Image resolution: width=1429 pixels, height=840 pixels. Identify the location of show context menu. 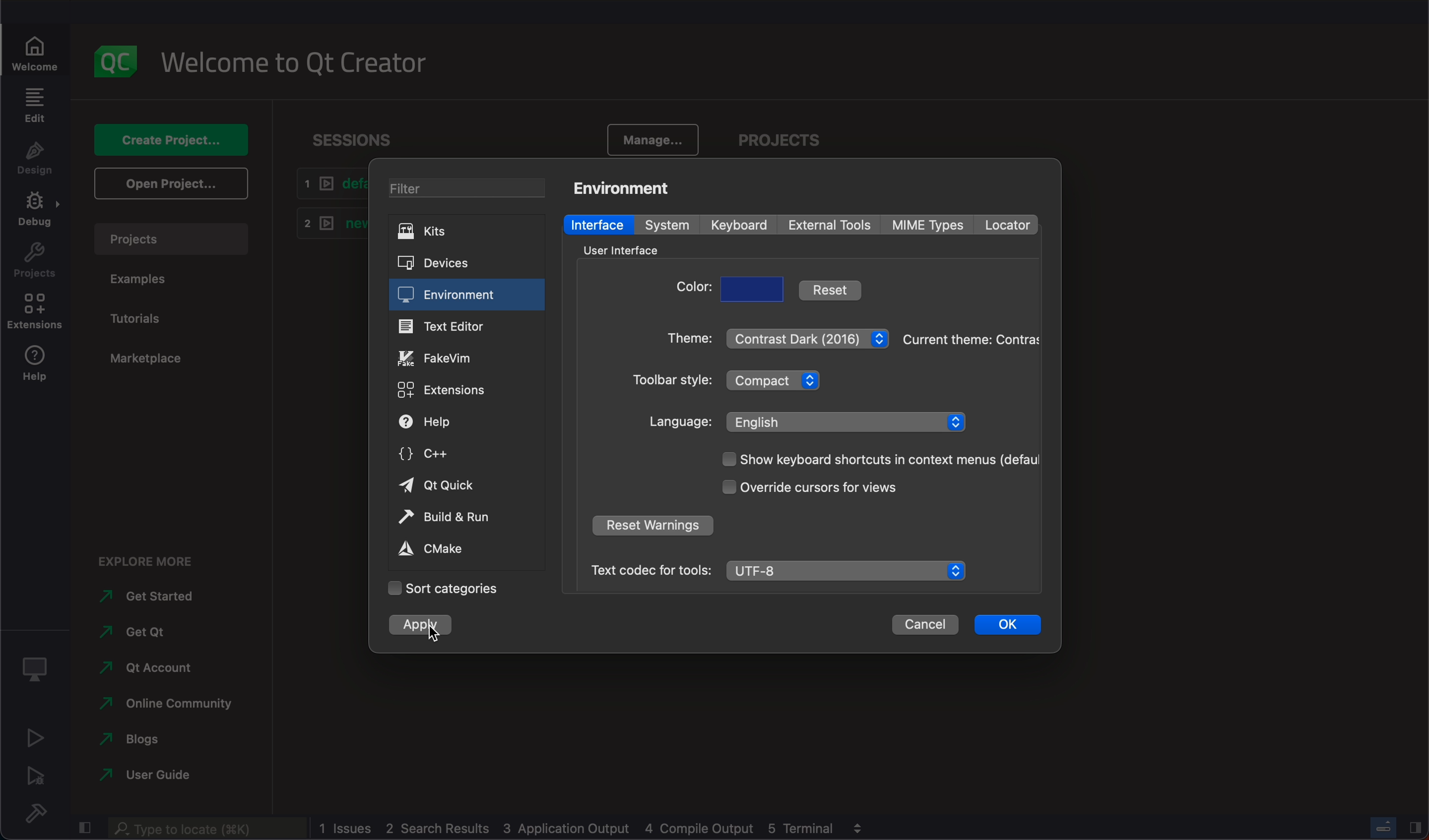
(880, 460).